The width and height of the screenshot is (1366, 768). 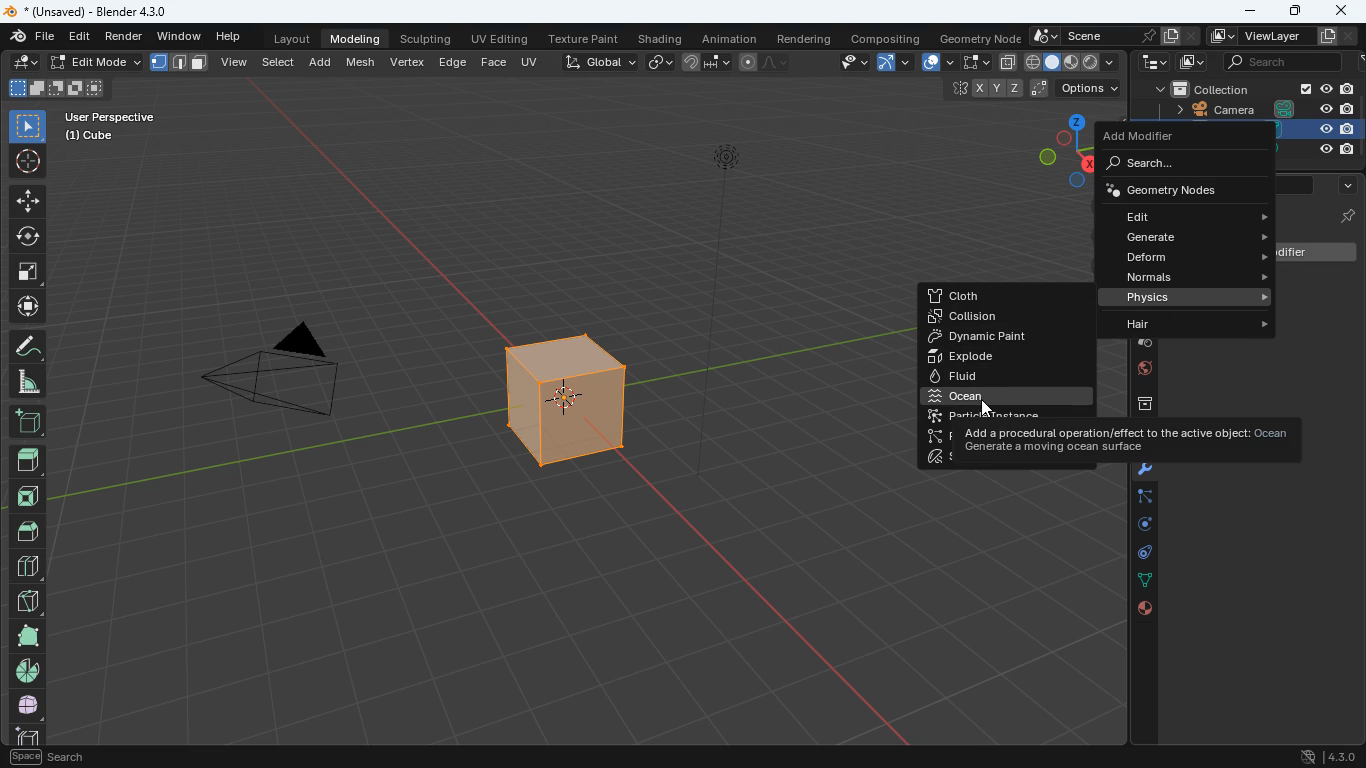 I want to click on ocean description, so click(x=1132, y=441).